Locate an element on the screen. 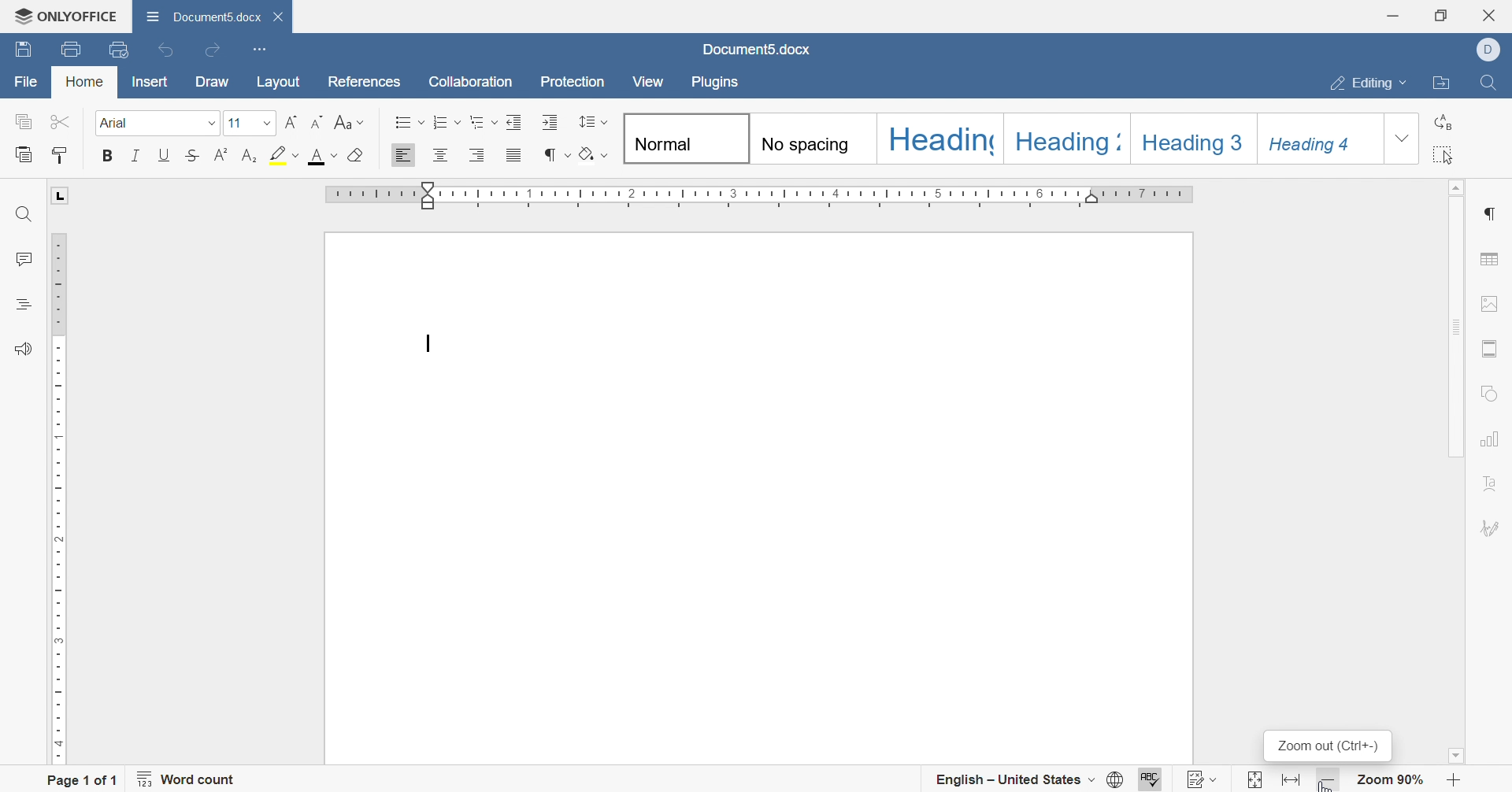 The image size is (1512, 792). highlight color is located at coordinates (283, 157).